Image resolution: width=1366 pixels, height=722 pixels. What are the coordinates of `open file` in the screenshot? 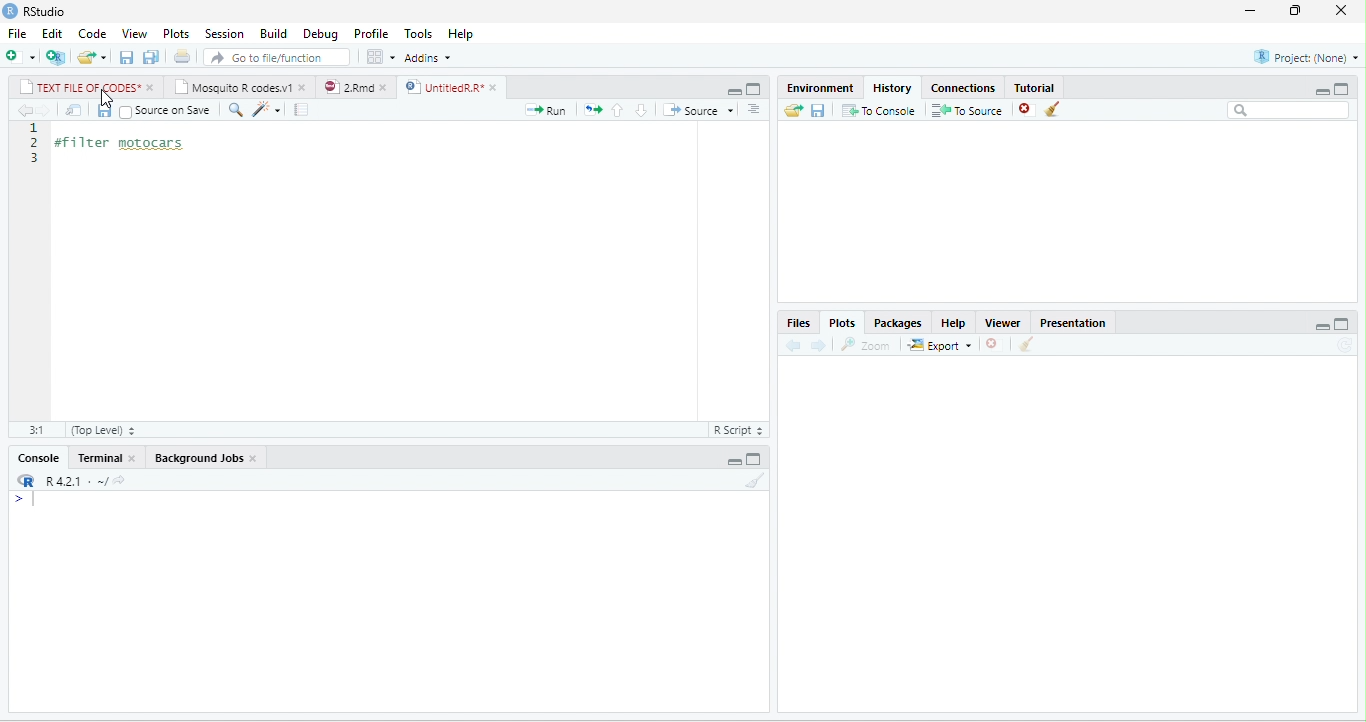 It's located at (92, 58).